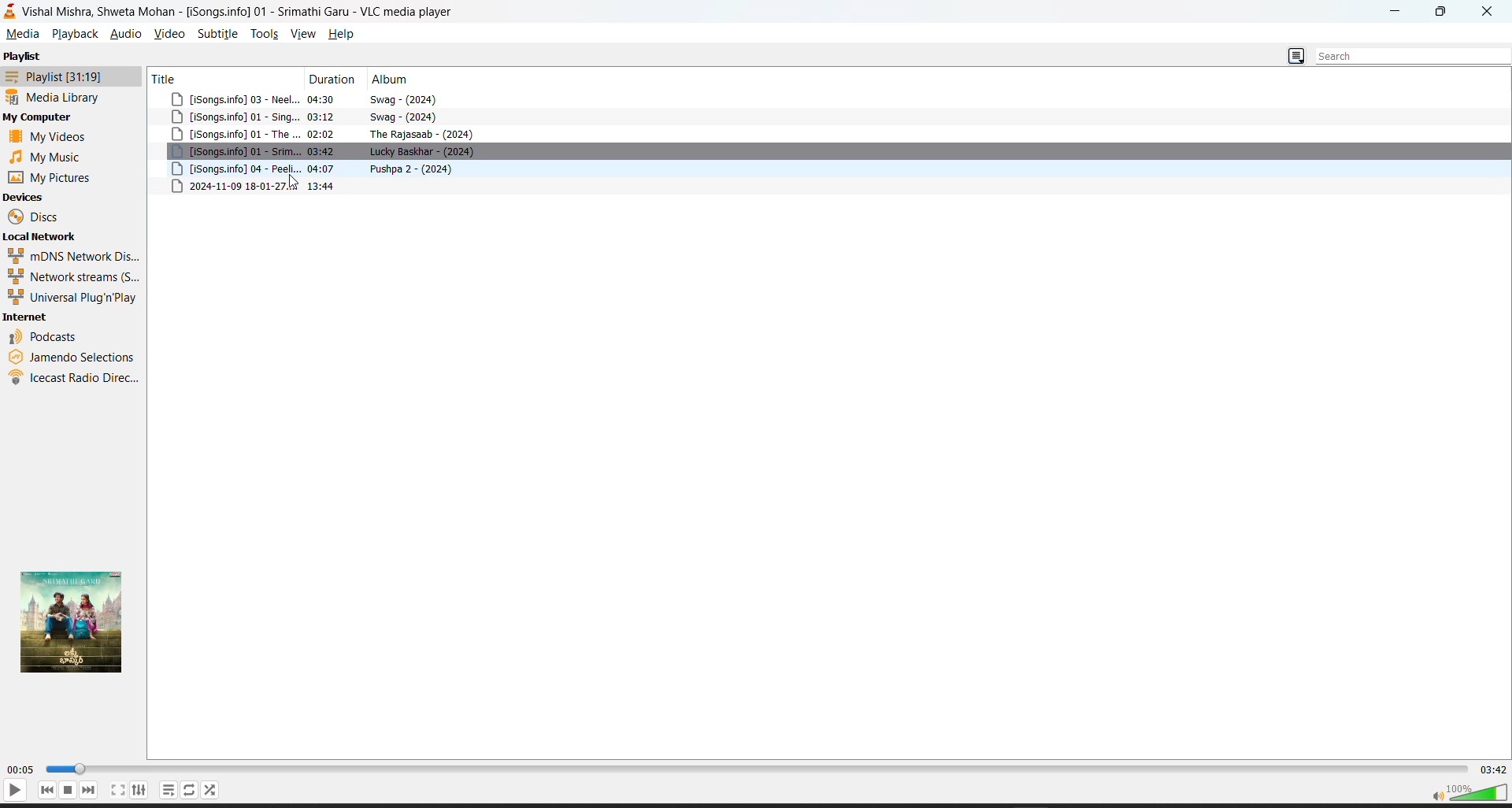 The width and height of the screenshot is (1512, 808). What do you see at coordinates (29, 317) in the screenshot?
I see `internet` at bounding box center [29, 317].